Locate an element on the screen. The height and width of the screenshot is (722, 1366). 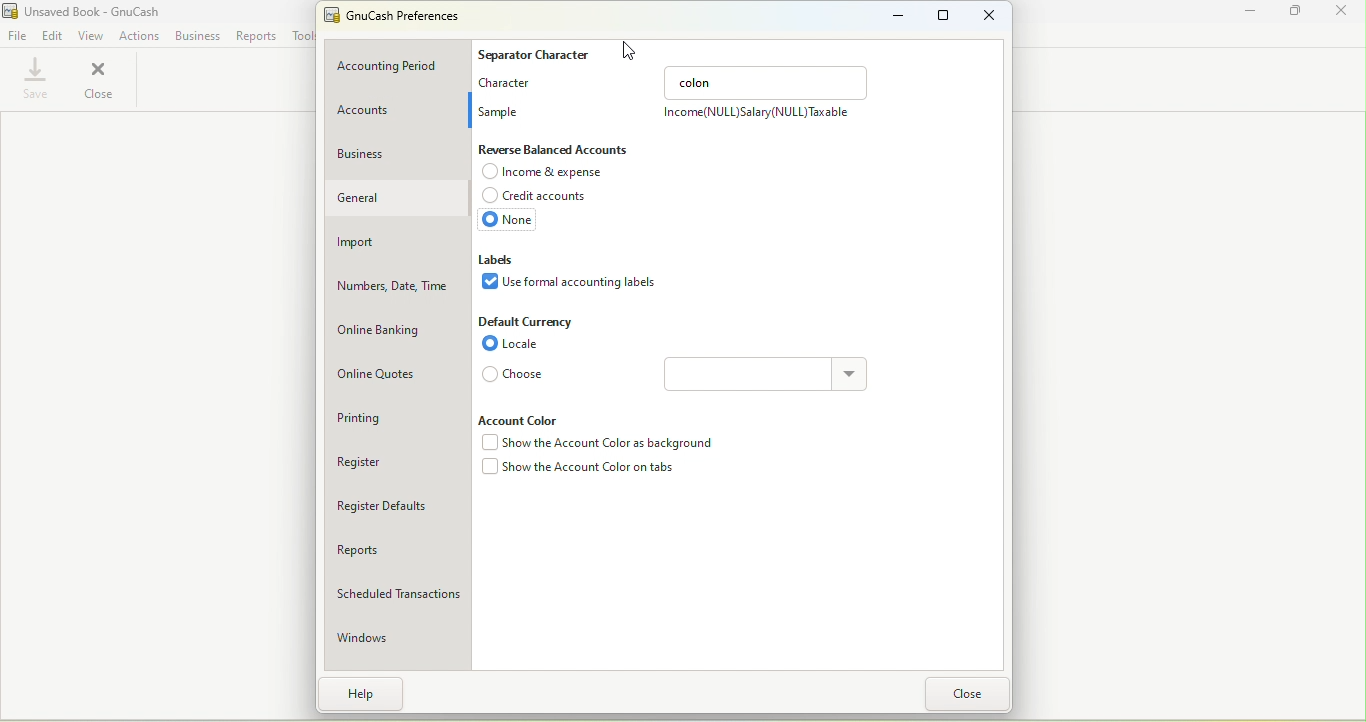
Accounting period is located at coordinates (400, 68).